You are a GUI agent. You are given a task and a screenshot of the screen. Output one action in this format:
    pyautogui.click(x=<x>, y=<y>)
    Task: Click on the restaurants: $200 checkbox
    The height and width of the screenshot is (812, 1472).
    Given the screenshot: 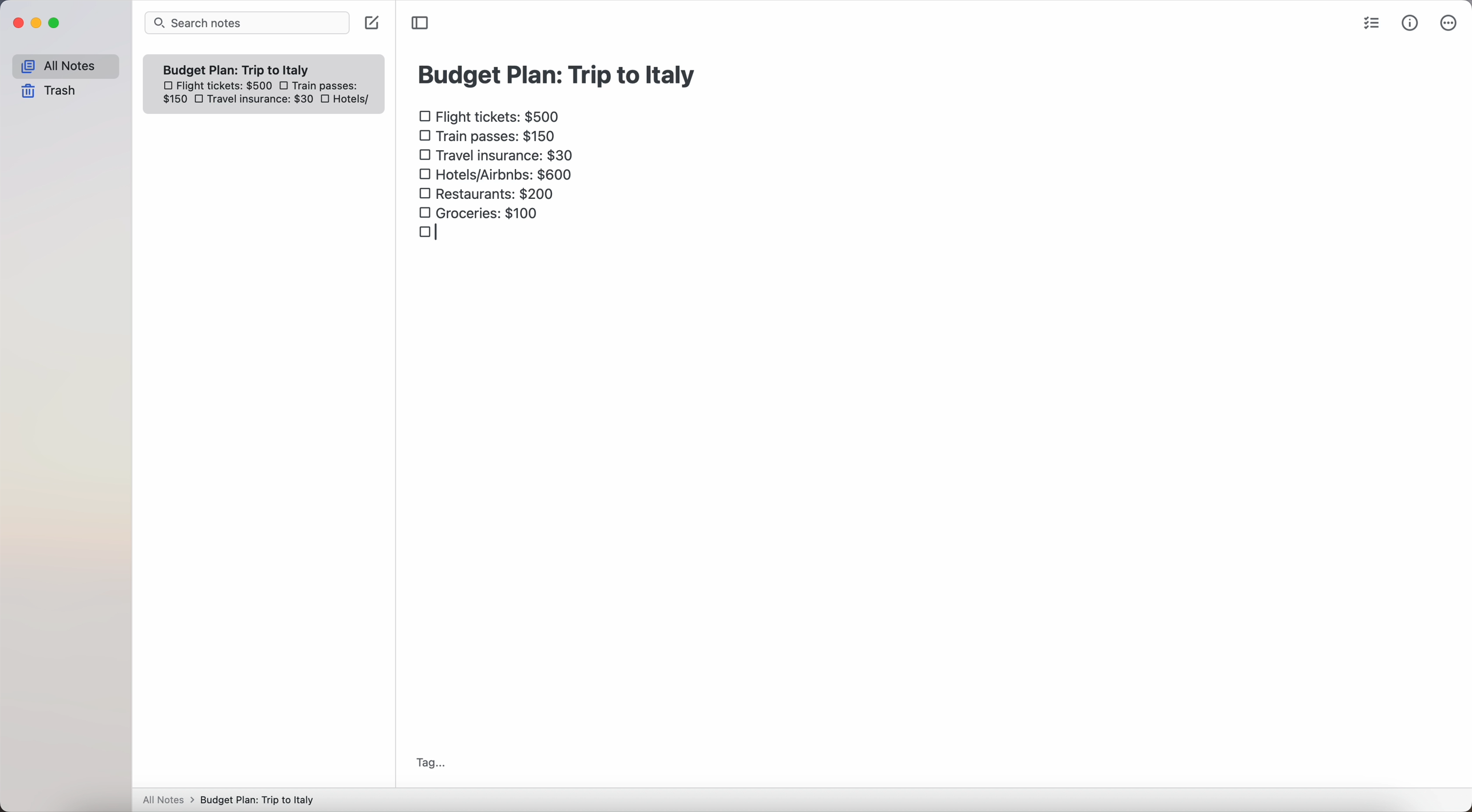 What is the action you would take?
    pyautogui.click(x=487, y=191)
    